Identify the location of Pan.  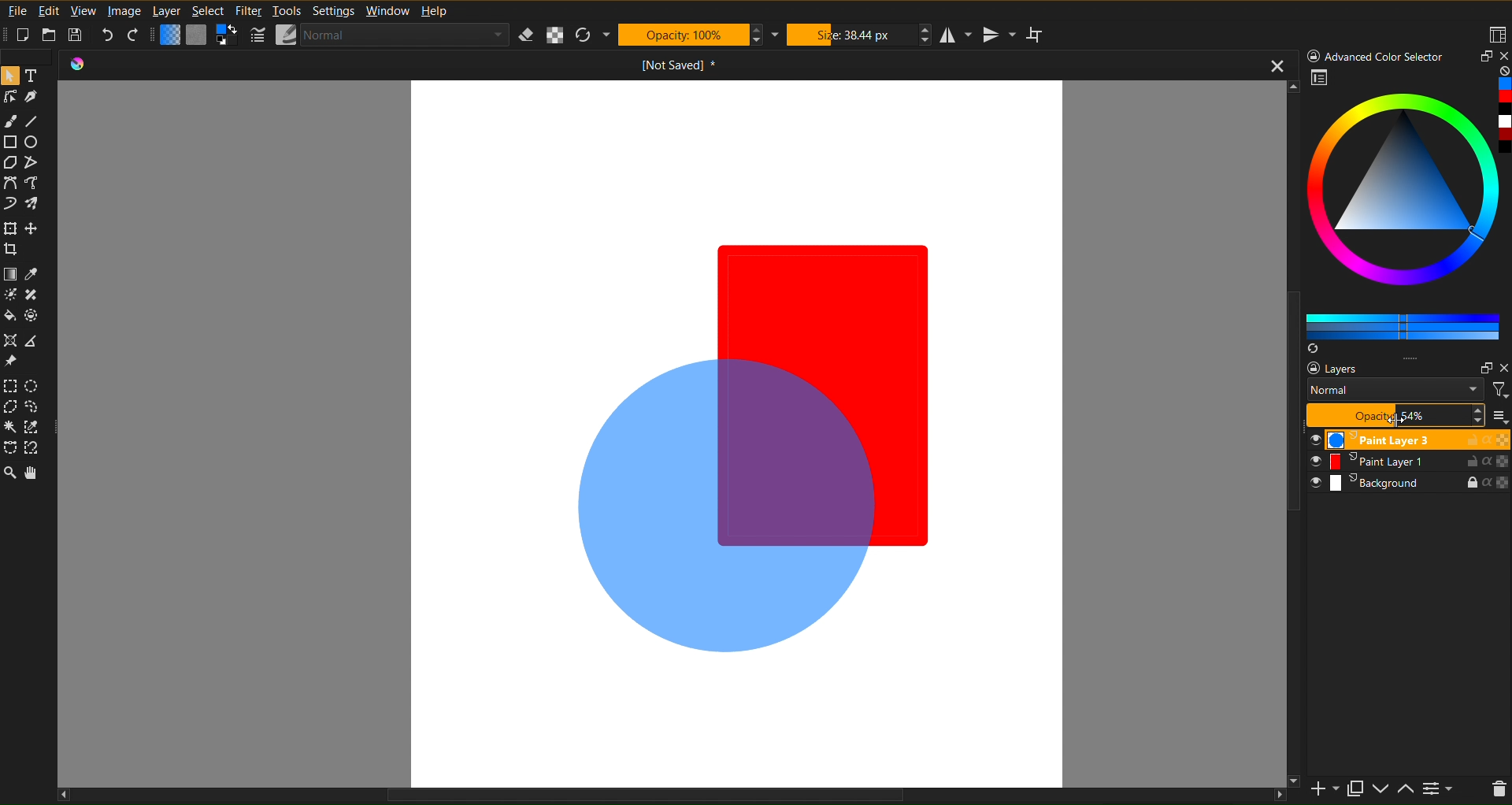
(35, 478).